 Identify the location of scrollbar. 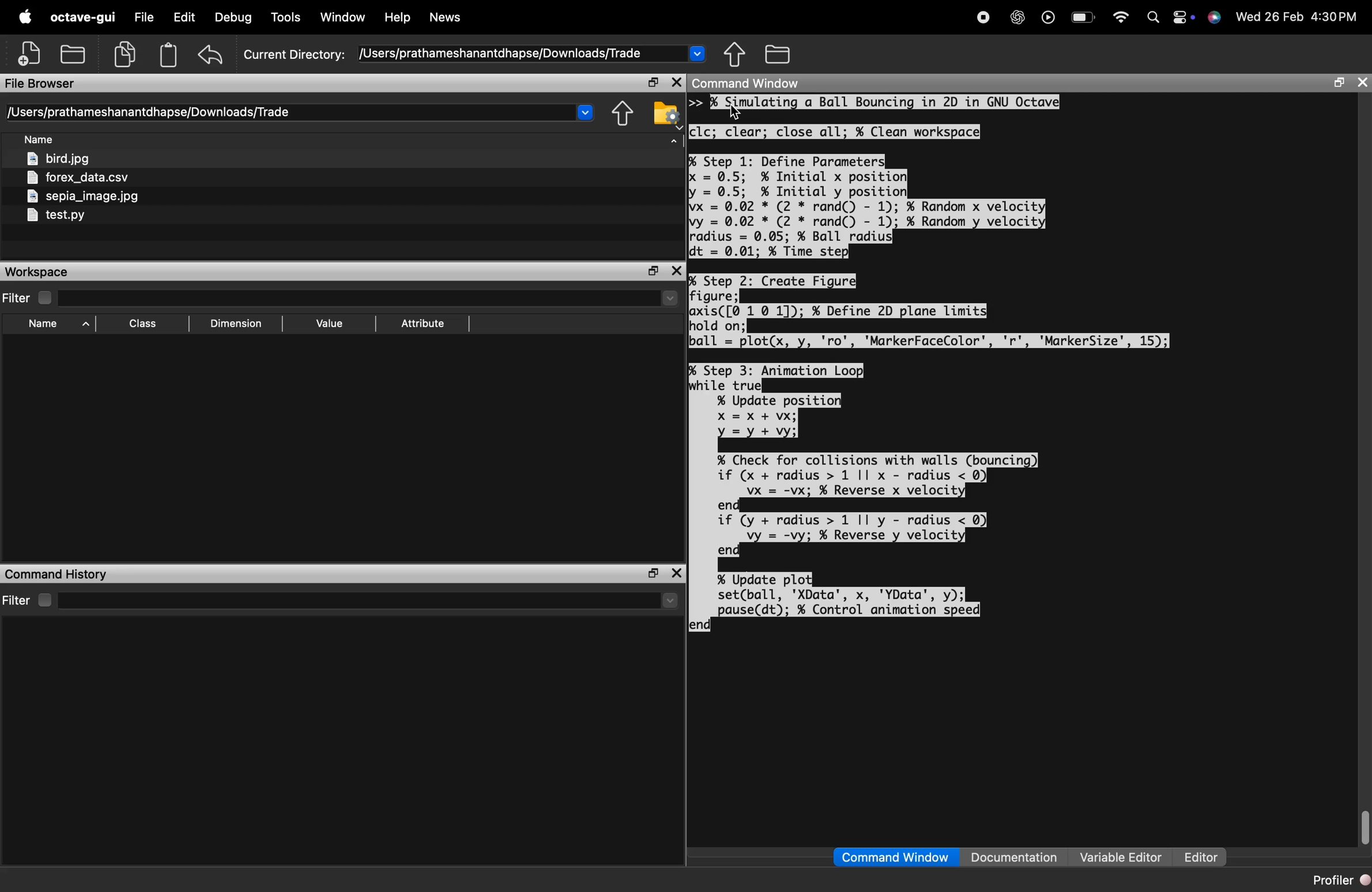
(1363, 828).